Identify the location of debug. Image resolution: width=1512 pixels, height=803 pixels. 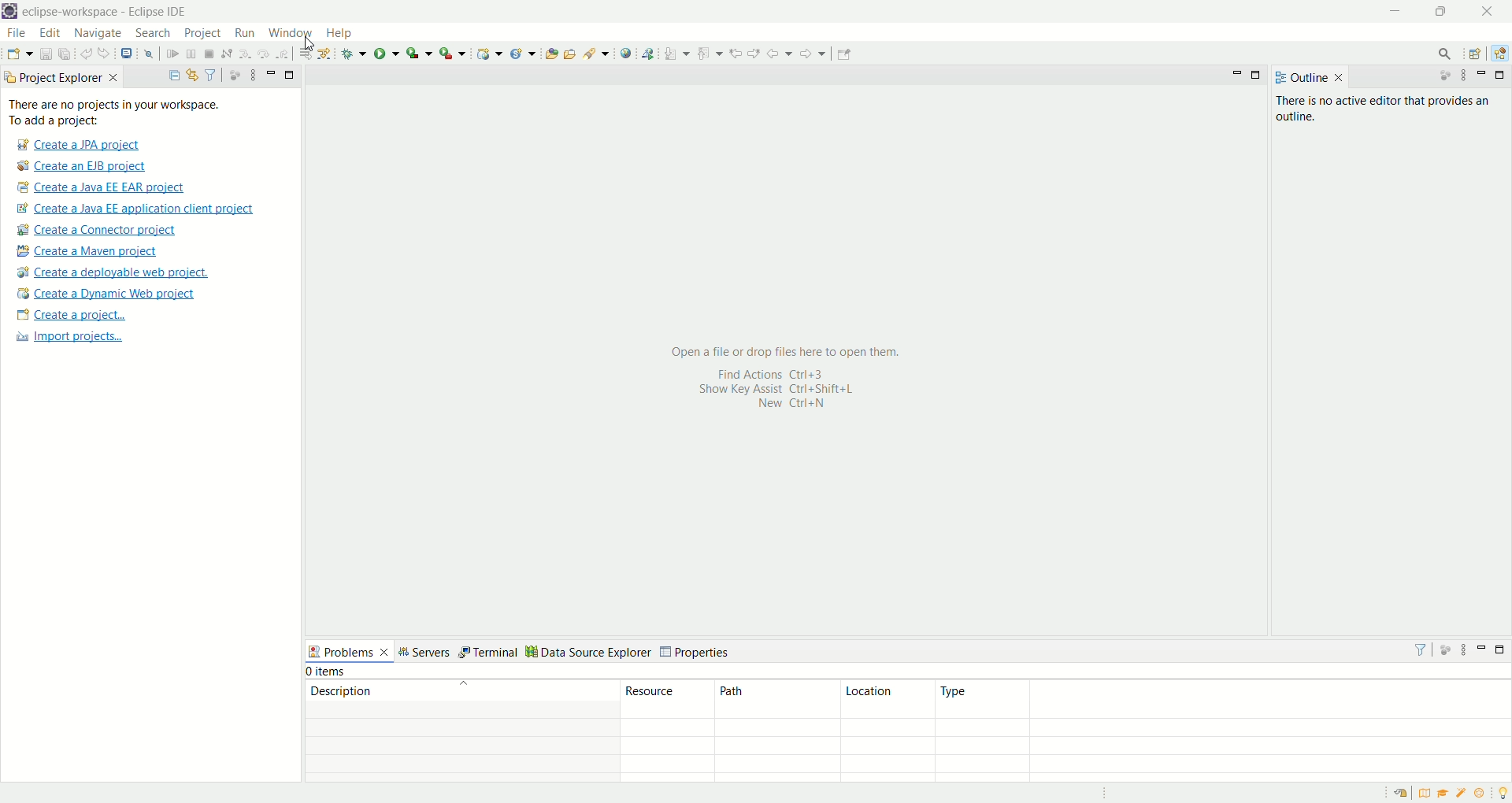
(353, 53).